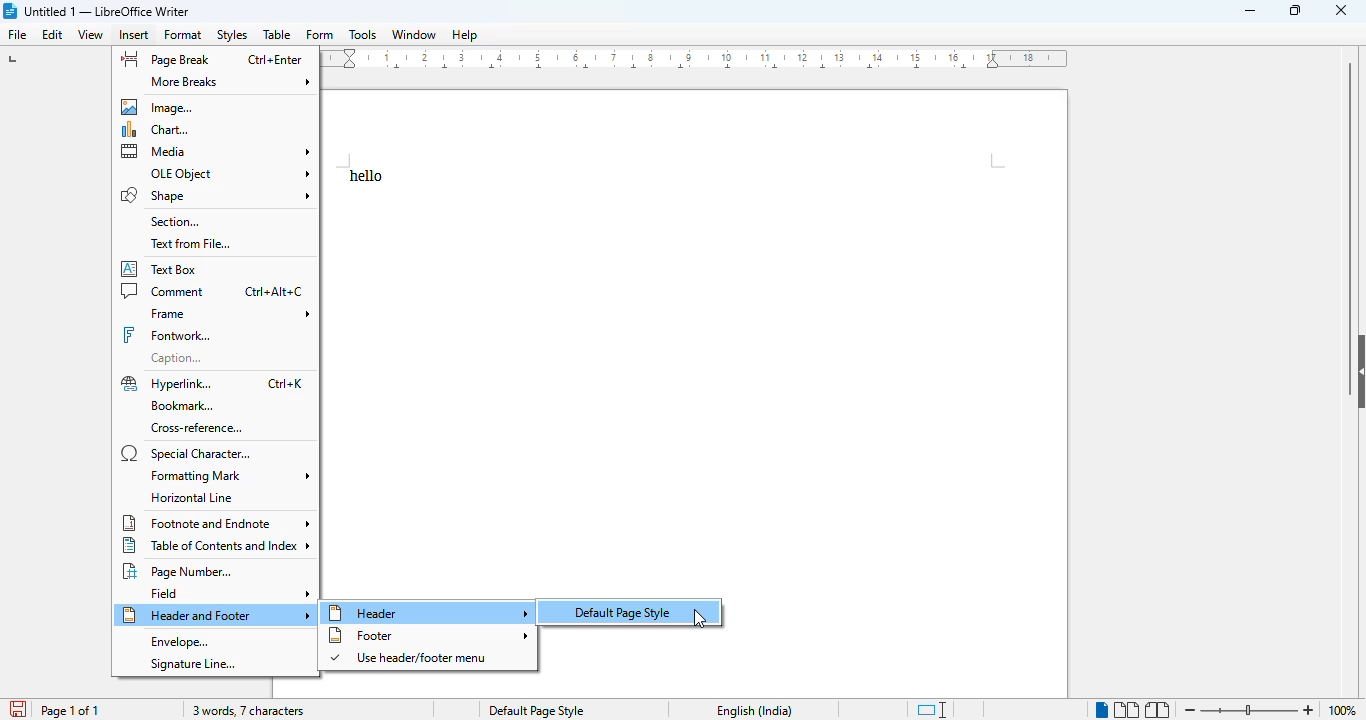 This screenshot has height=720, width=1366. Describe the element at coordinates (164, 291) in the screenshot. I see `comment` at that location.